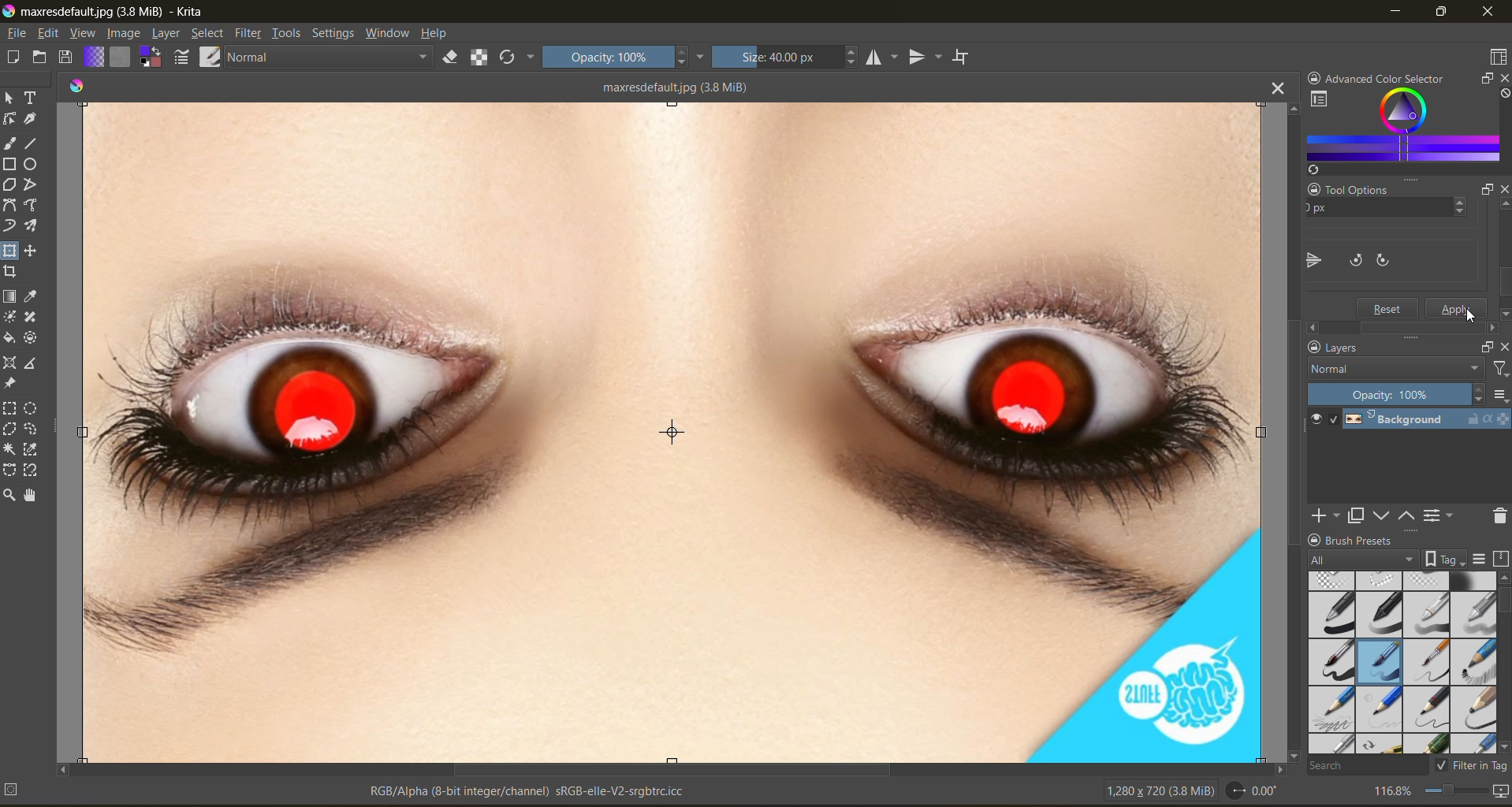  I want to click on colors, so click(79, 83).